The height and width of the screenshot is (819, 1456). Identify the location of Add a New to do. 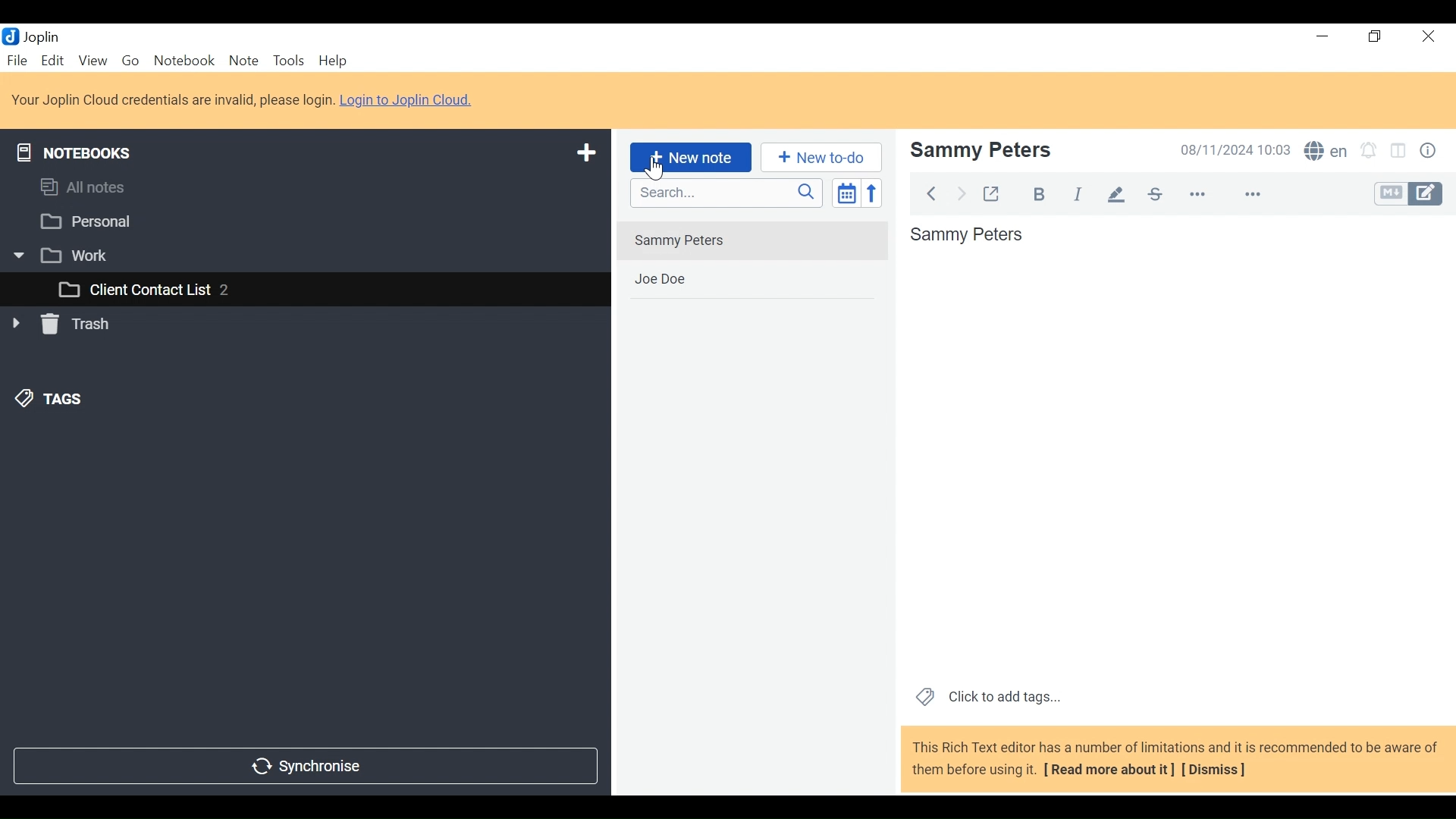
(821, 157).